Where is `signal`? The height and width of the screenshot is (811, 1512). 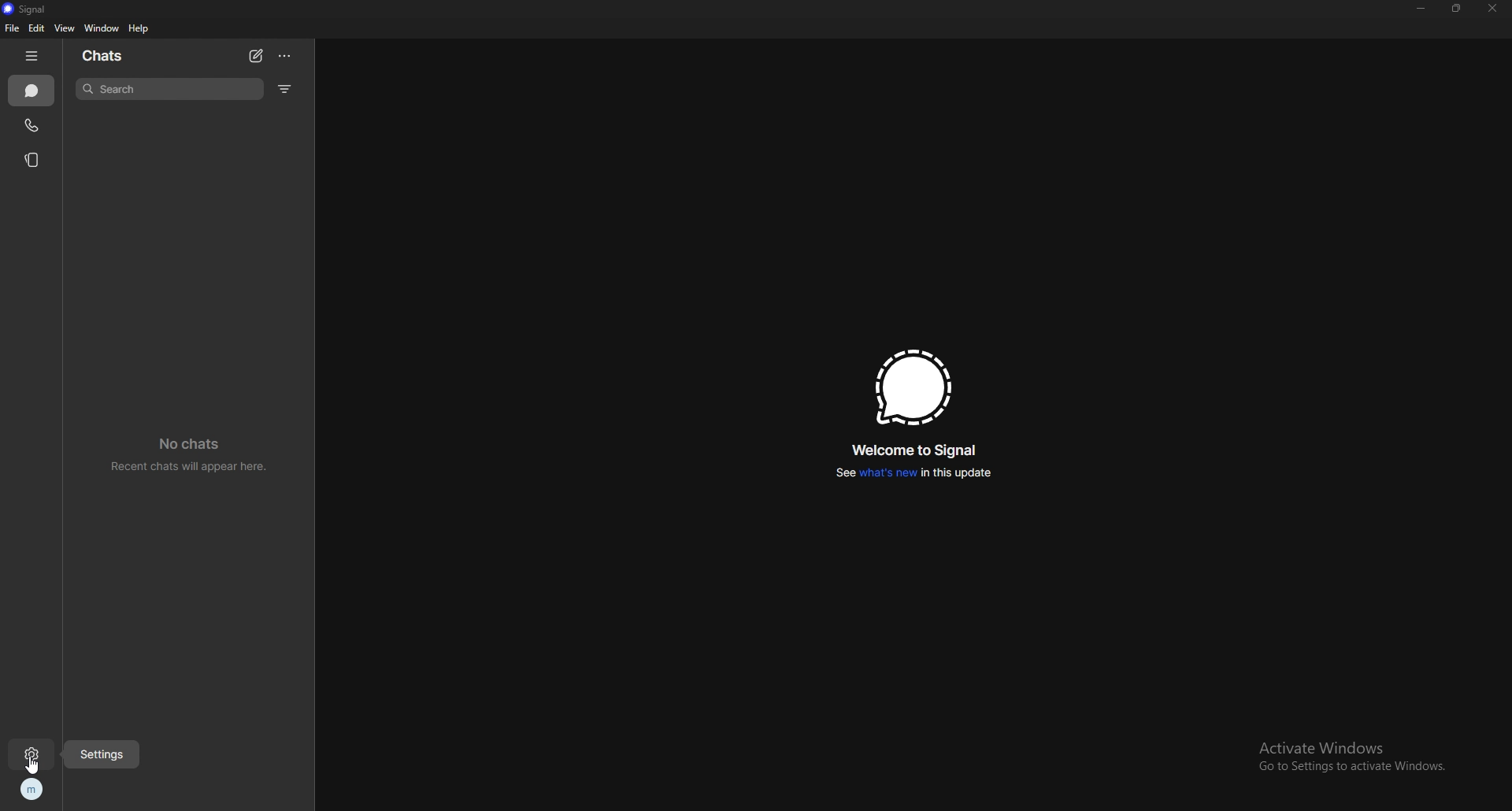 signal is located at coordinates (35, 9).